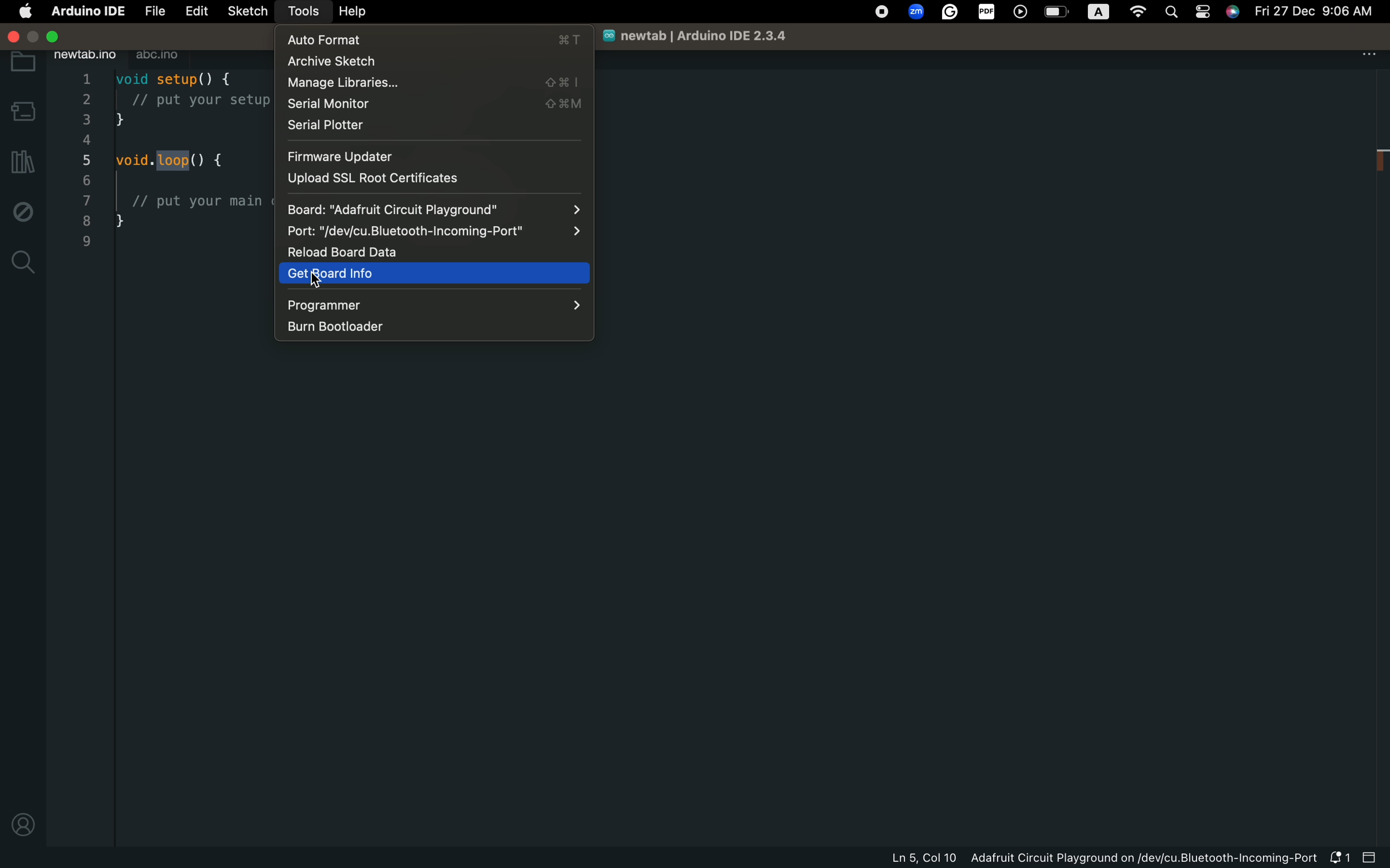  What do you see at coordinates (302, 13) in the screenshot?
I see `tools` at bounding box center [302, 13].